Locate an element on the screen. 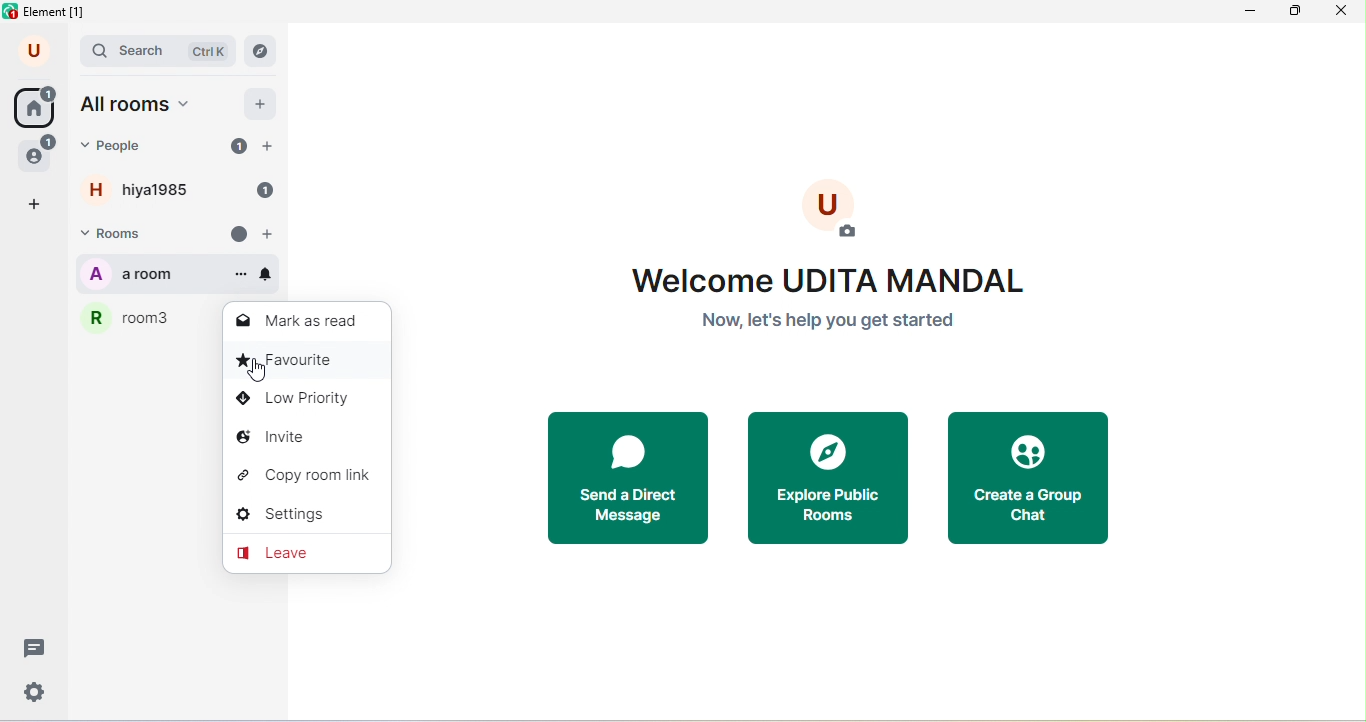 This screenshot has height=722, width=1366. cursor movement is located at coordinates (260, 372).